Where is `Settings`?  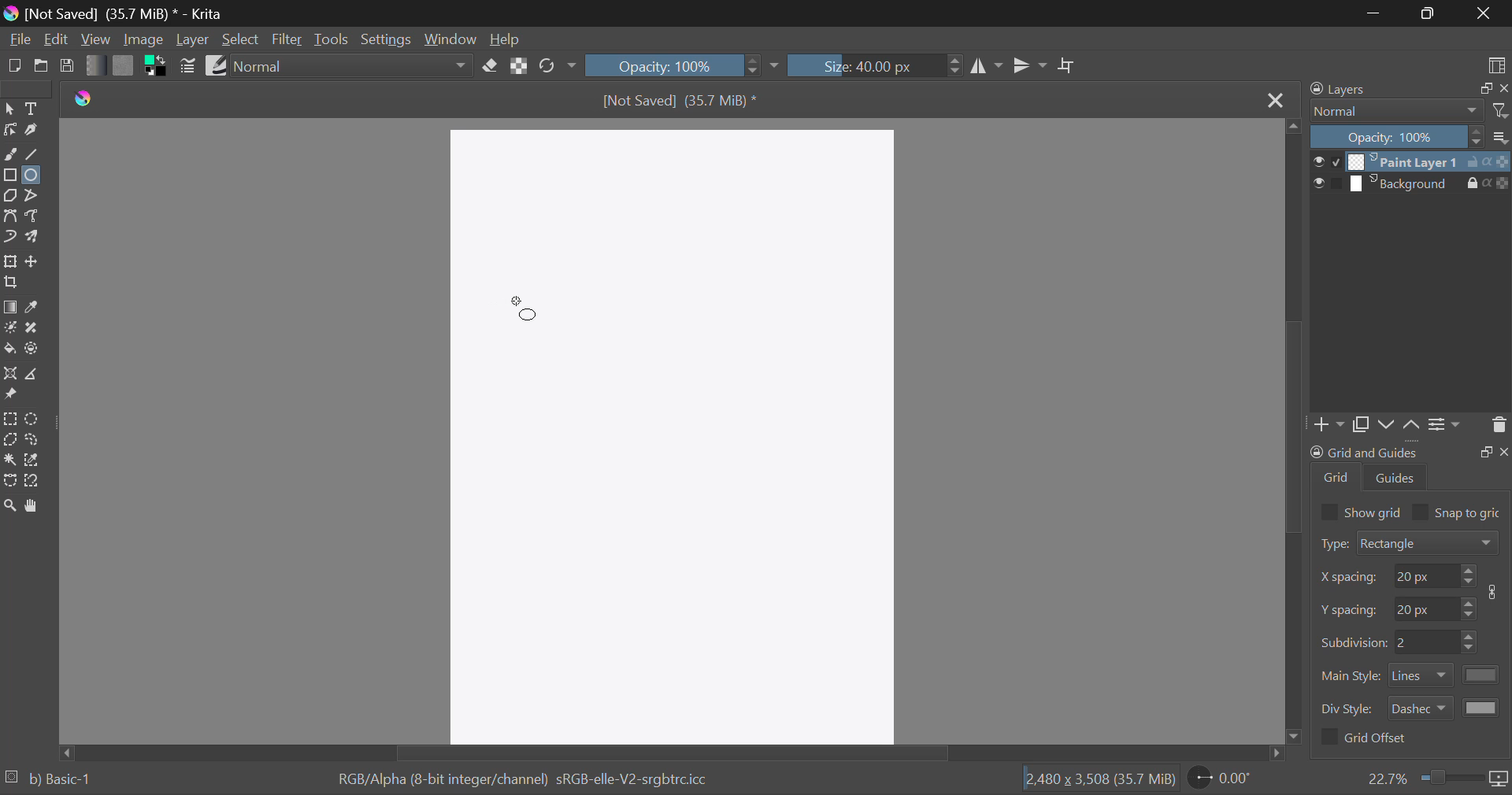 Settings is located at coordinates (384, 39).